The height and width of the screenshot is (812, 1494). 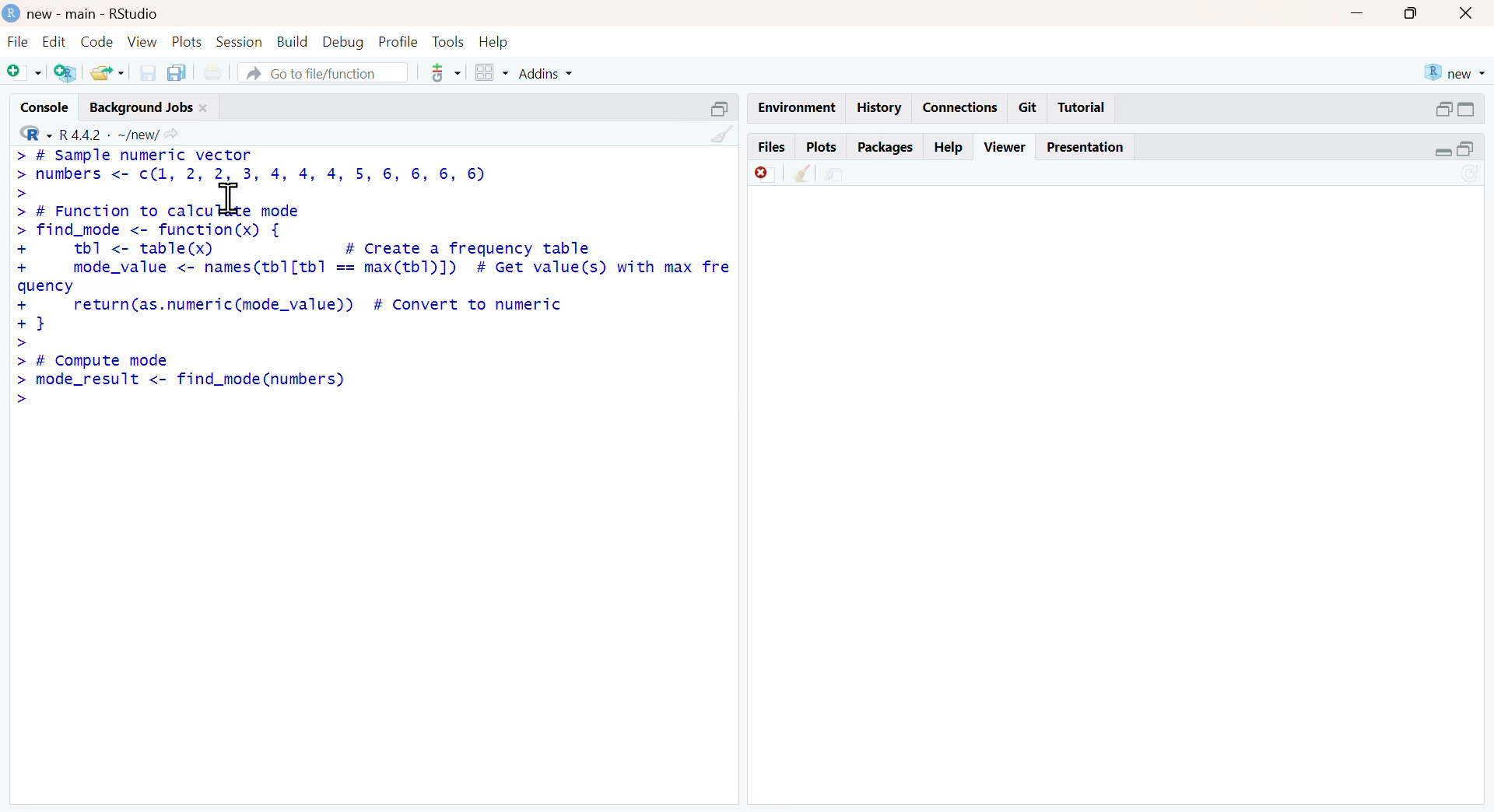 I want to click on grid, so click(x=493, y=72).